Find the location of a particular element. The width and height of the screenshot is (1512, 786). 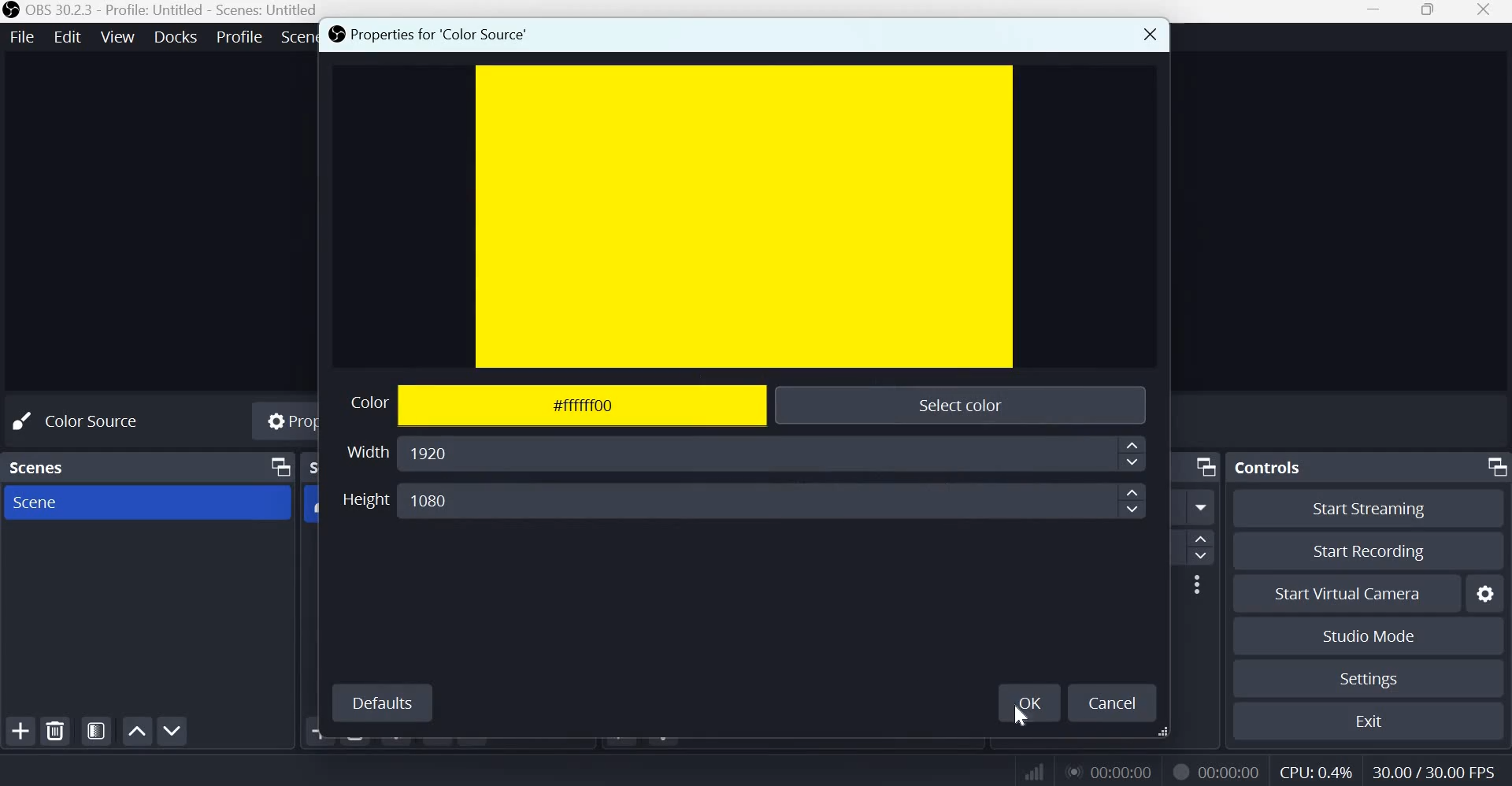

Configure virtual camers is located at coordinates (1488, 595).